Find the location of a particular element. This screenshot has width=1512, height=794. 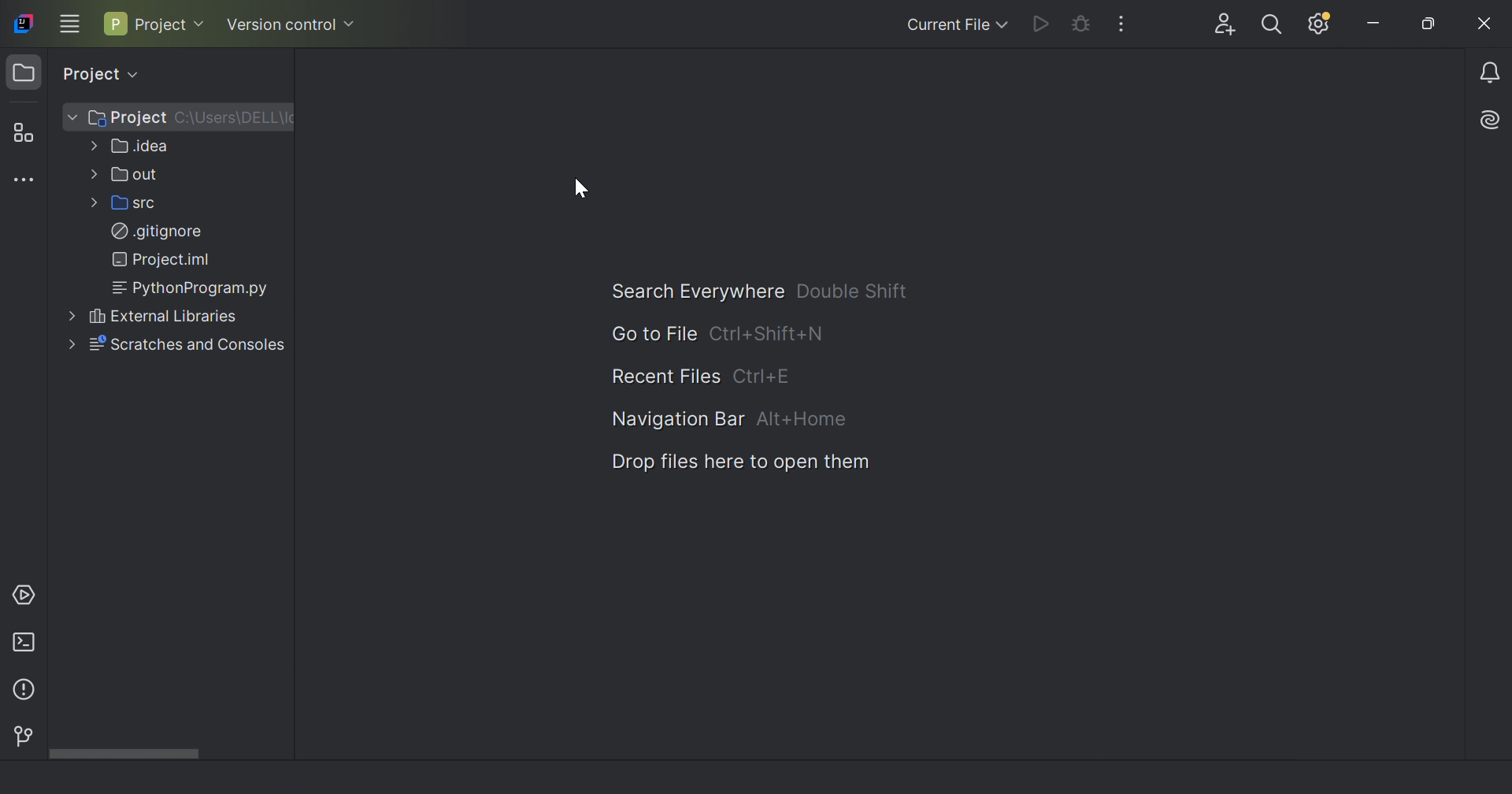

Services is located at coordinates (28, 593).